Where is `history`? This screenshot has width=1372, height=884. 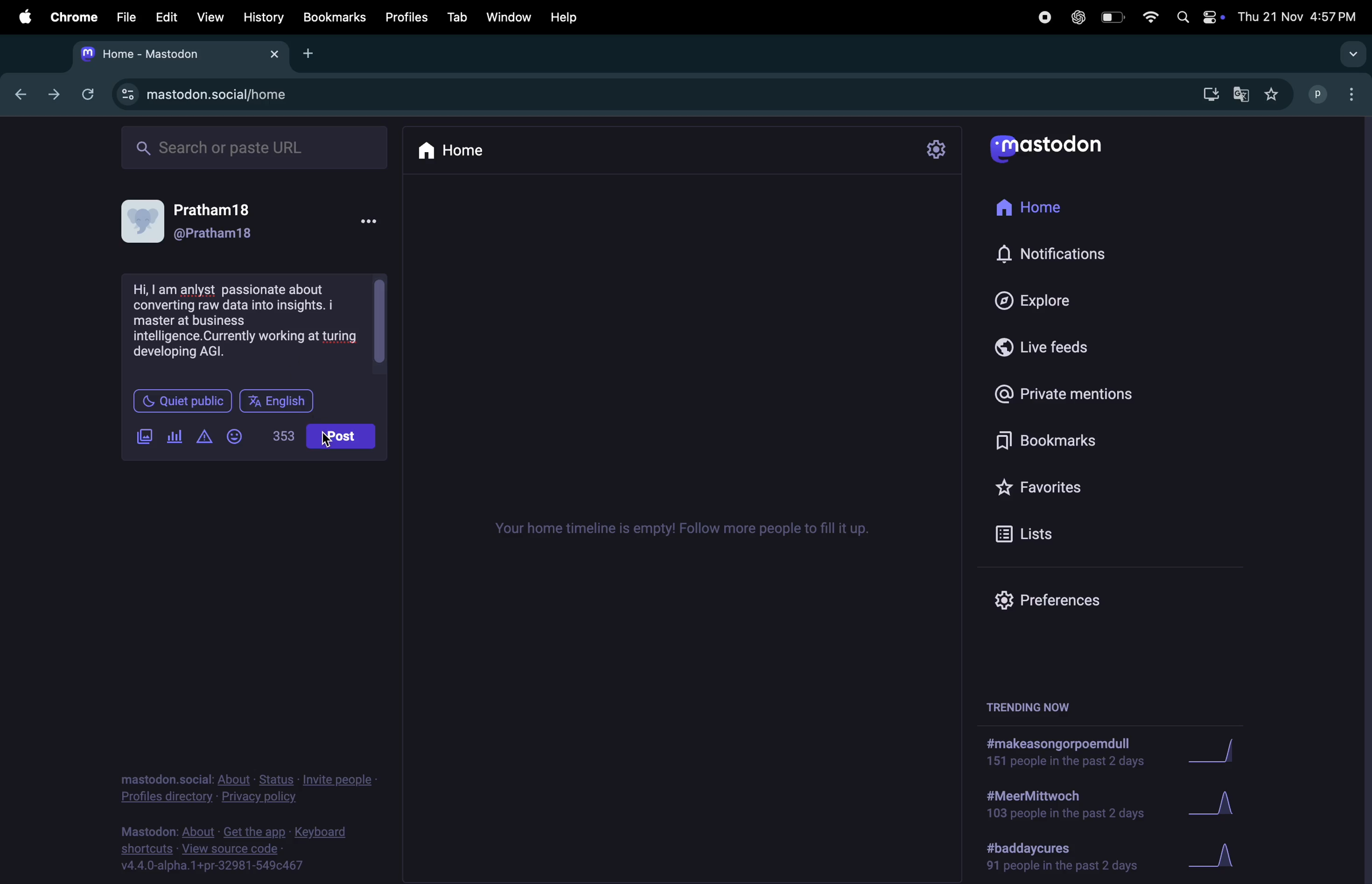
history is located at coordinates (263, 17).